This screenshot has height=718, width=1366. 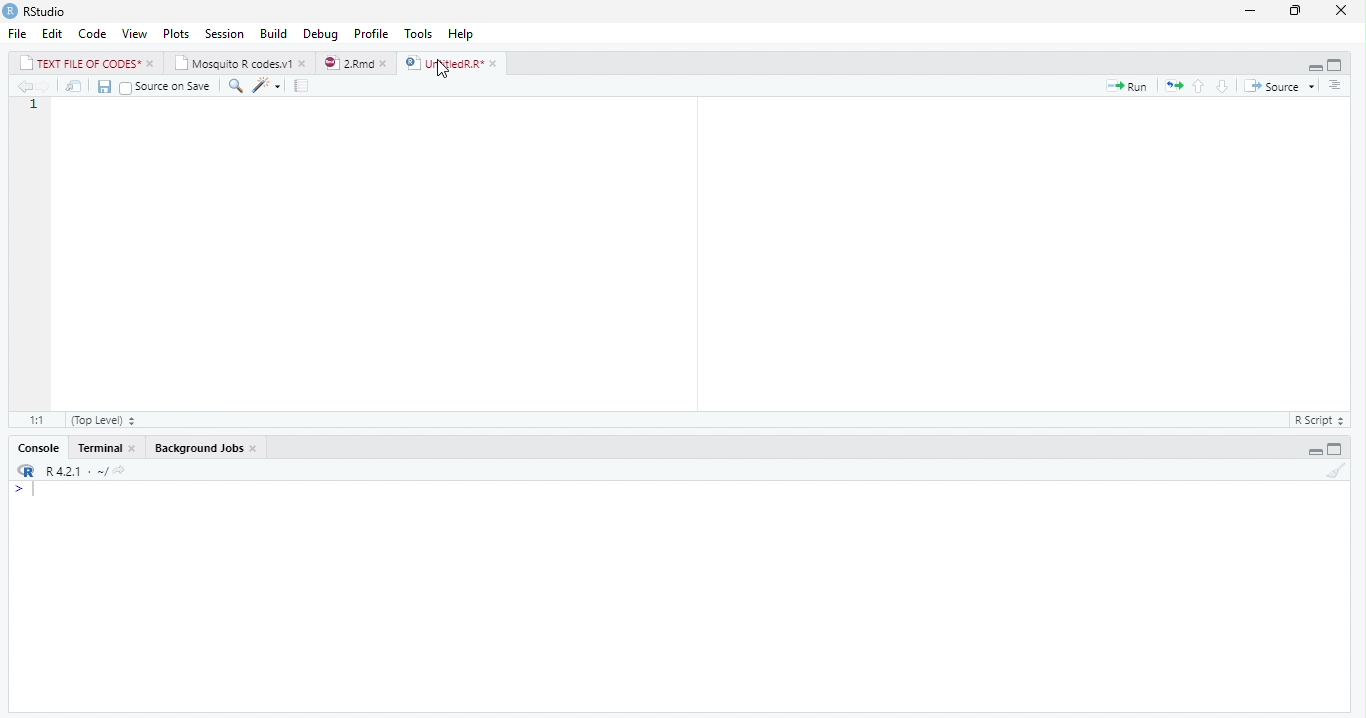 What do you see at coordinates (176, 32) in the screenshot?
I see `Plots` at bounding box center [176, 32].